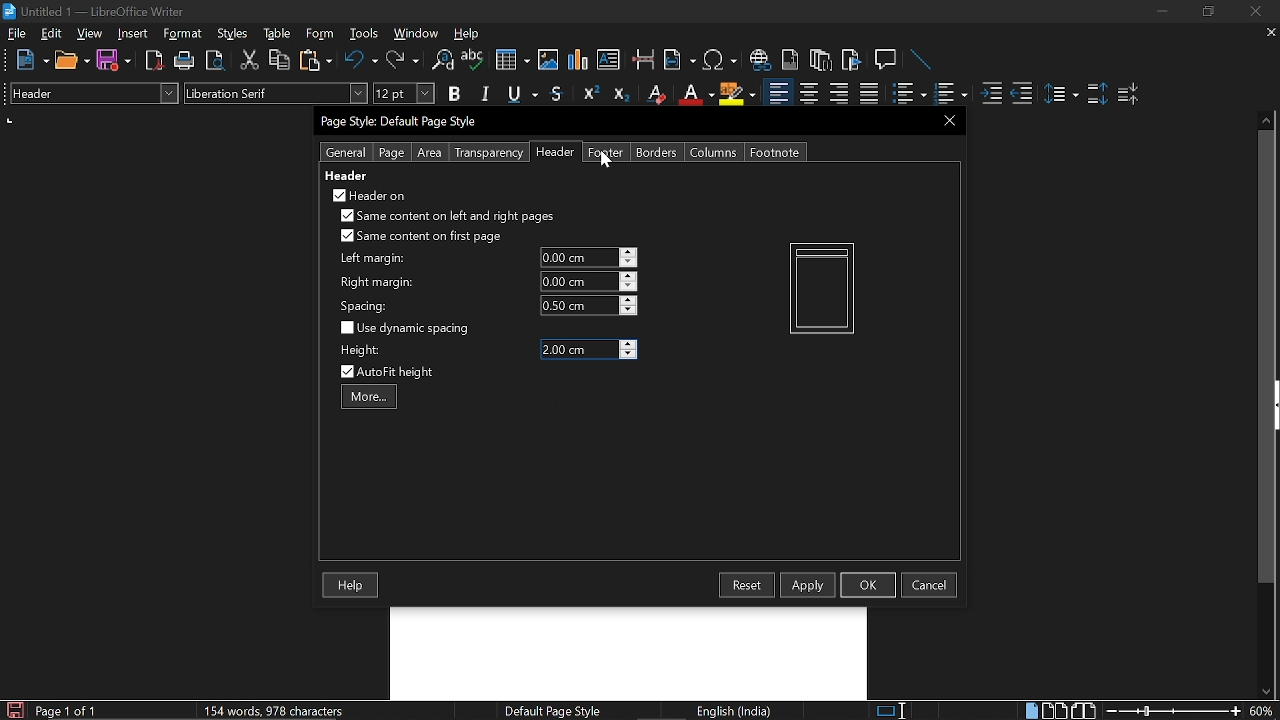 This screenshot has height=720, width=1280. Describe the element at coordinates (1261, 710) in the screenshot. I see `Current zoom hey Cortana` at that location.